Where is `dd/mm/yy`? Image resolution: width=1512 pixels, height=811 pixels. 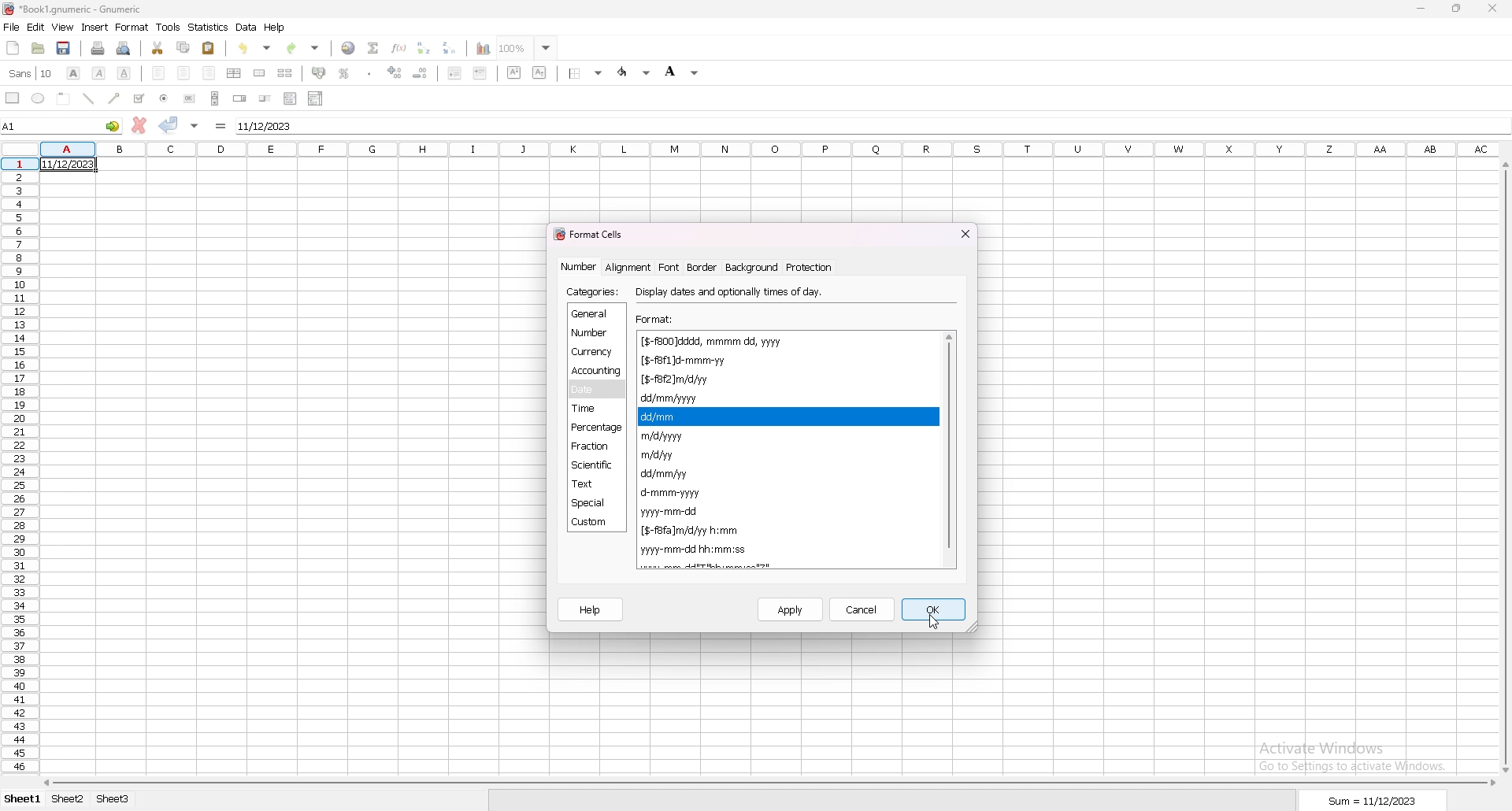
dd/mm/yy is located at coordinates (667, 474).